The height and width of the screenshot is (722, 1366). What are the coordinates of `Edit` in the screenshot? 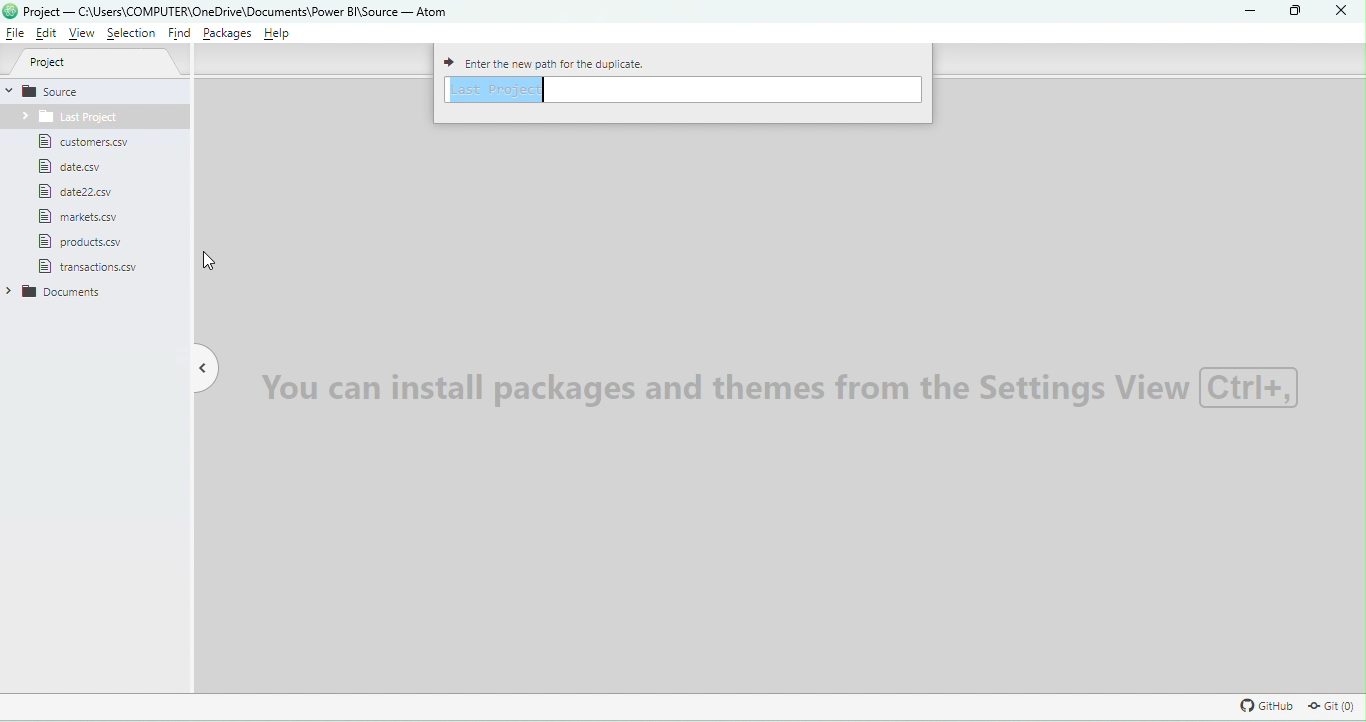 It's located at (46, 35).